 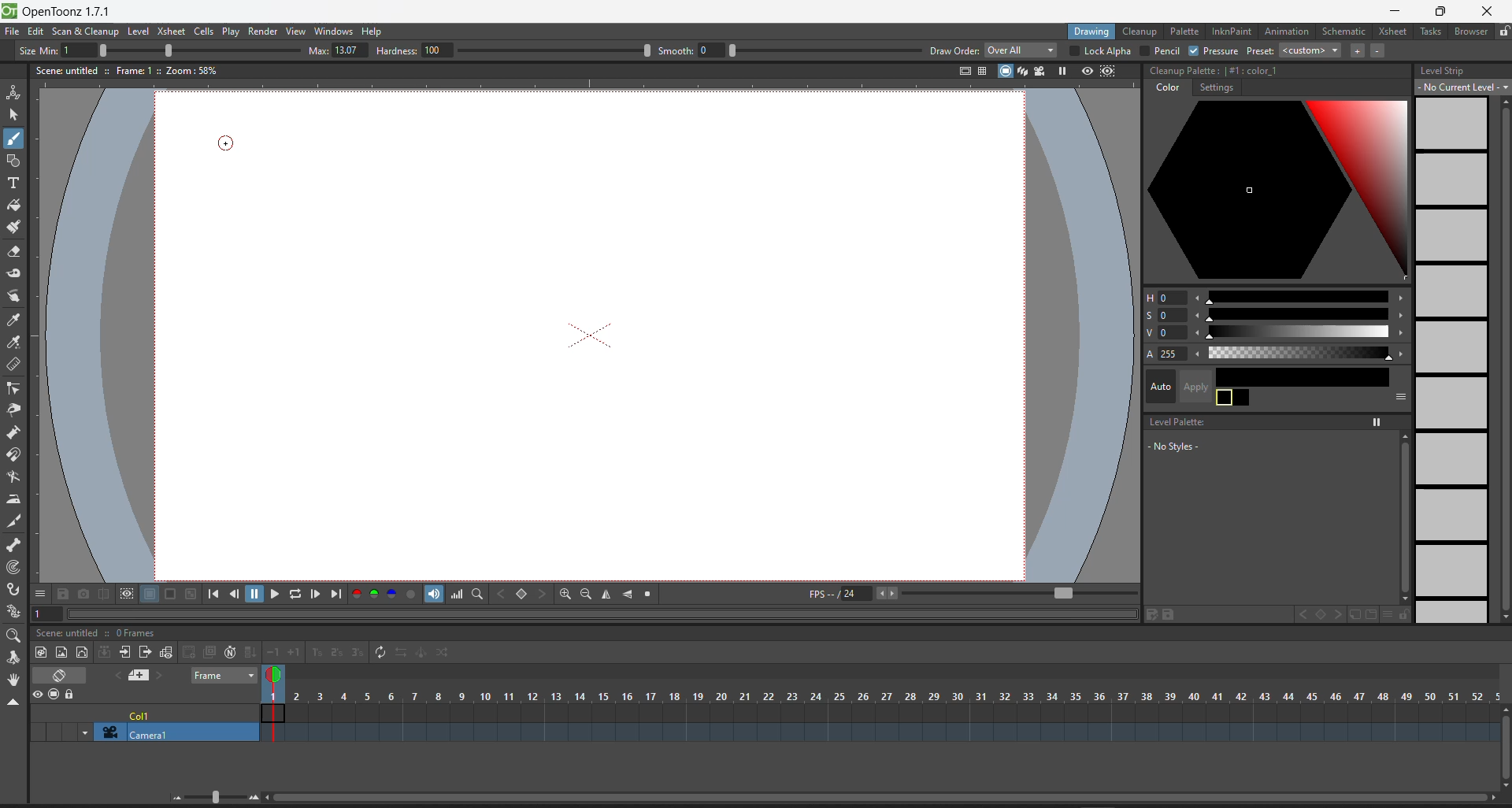 I want to click on save images, so click(x=62, y=595).